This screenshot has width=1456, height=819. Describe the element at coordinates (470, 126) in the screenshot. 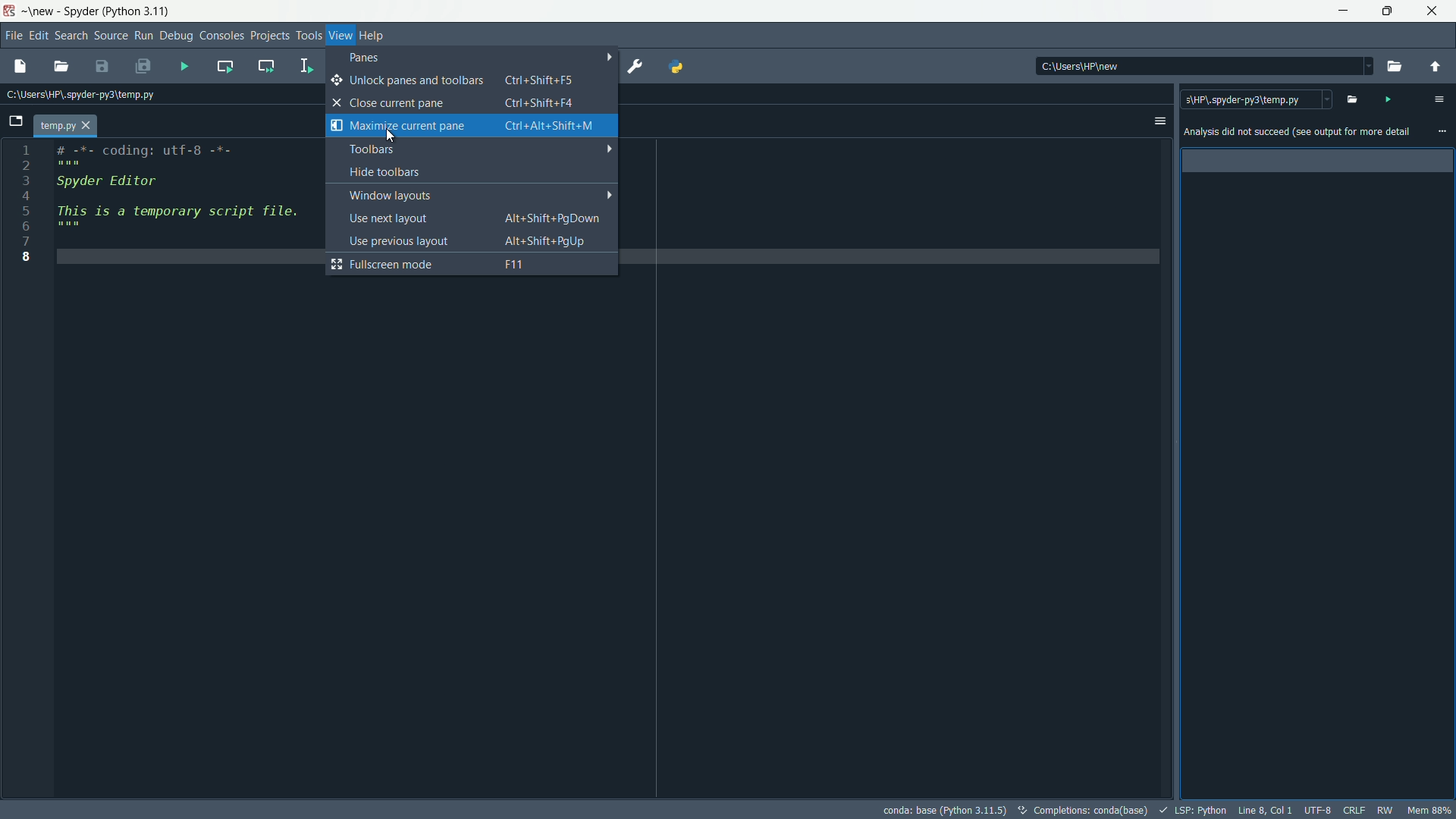

I see `maximize current pane` at that location.